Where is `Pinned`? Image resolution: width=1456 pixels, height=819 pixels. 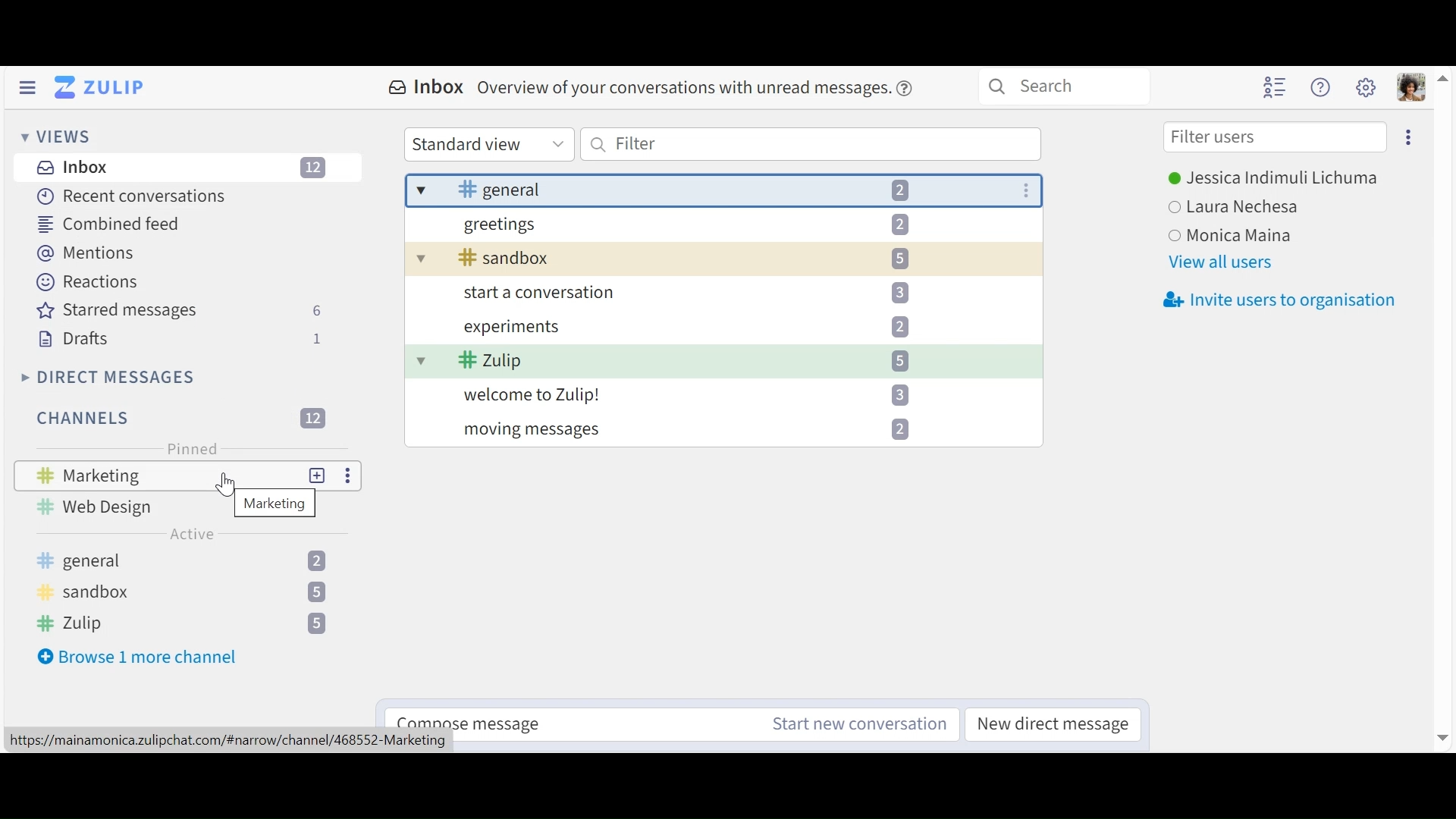
Pinned is located at coordinates (189, 450).